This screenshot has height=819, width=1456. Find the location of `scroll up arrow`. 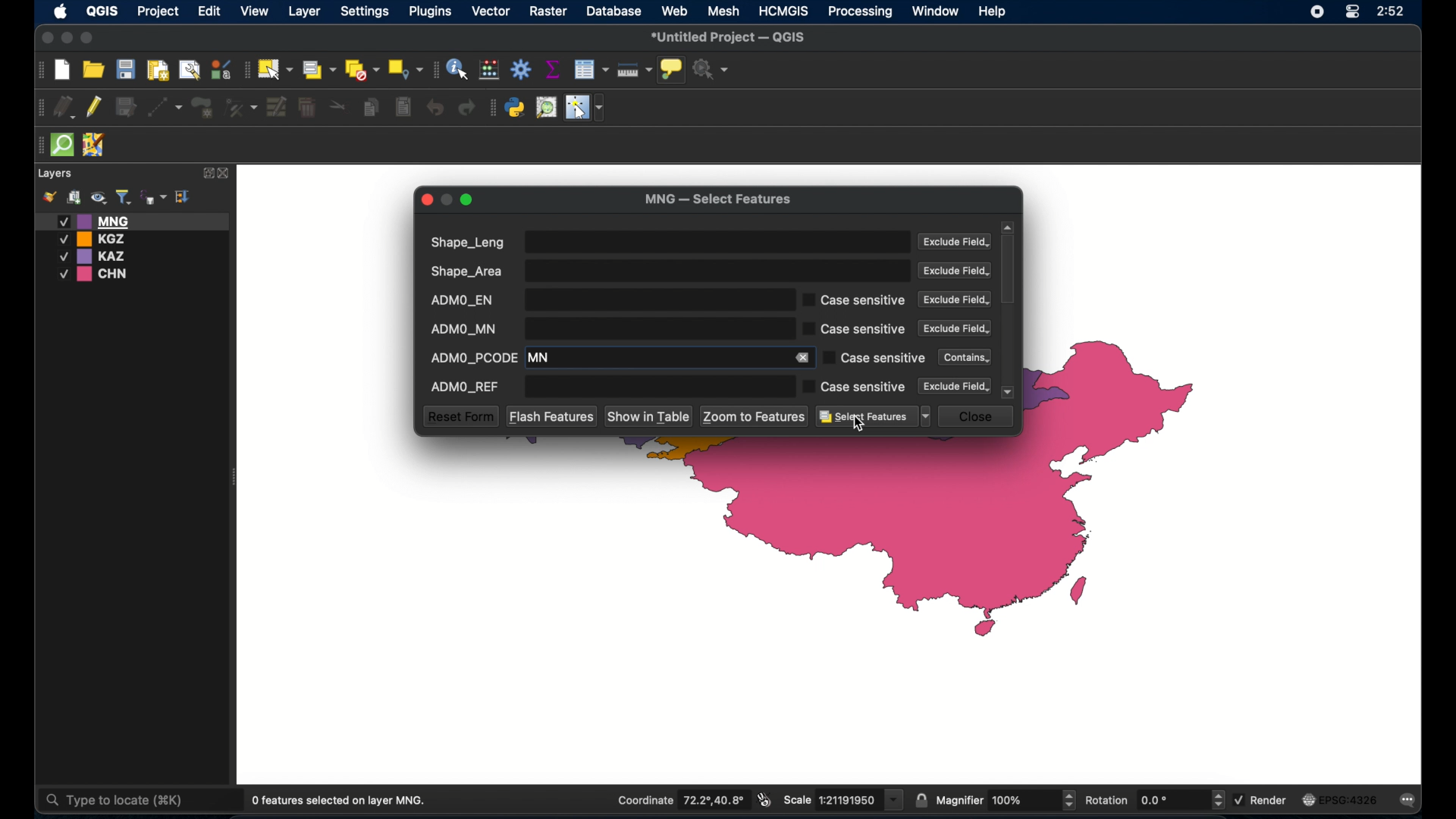

scroll up arrow is located at coordinates (1008, 227).